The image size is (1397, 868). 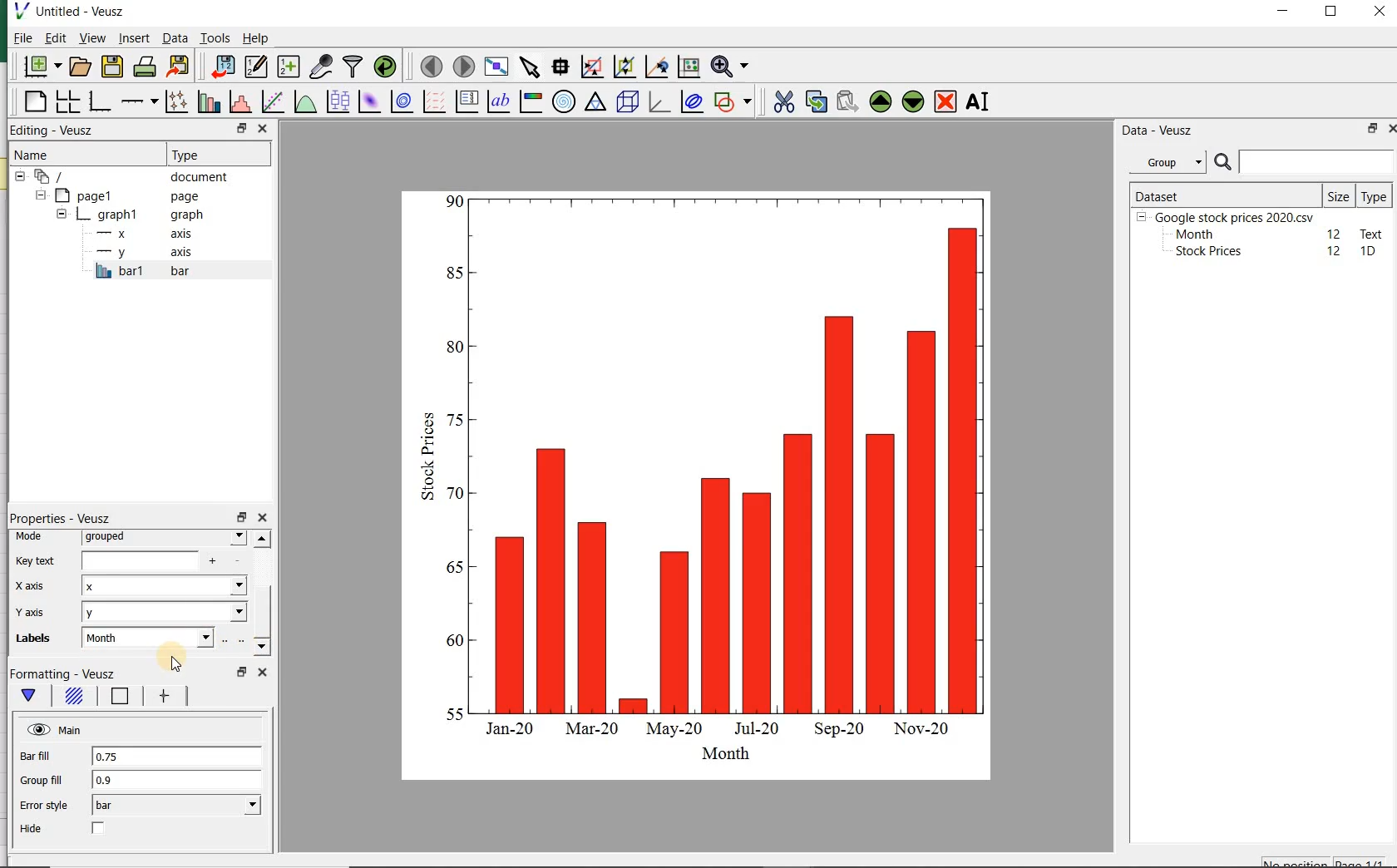 I want to click on histogram of a dataset, so click(x=239, y=104).